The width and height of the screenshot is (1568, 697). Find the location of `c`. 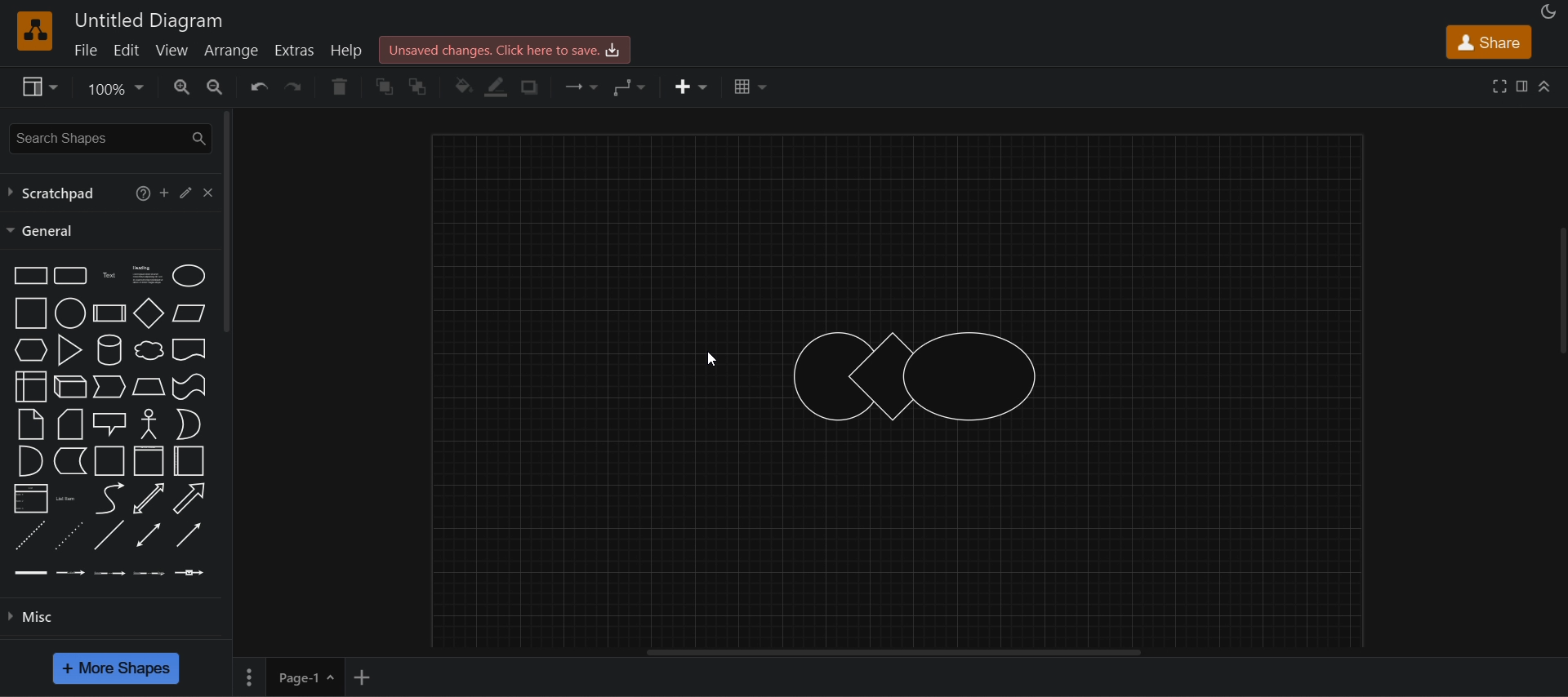

c is located at coordinates (207, 190).